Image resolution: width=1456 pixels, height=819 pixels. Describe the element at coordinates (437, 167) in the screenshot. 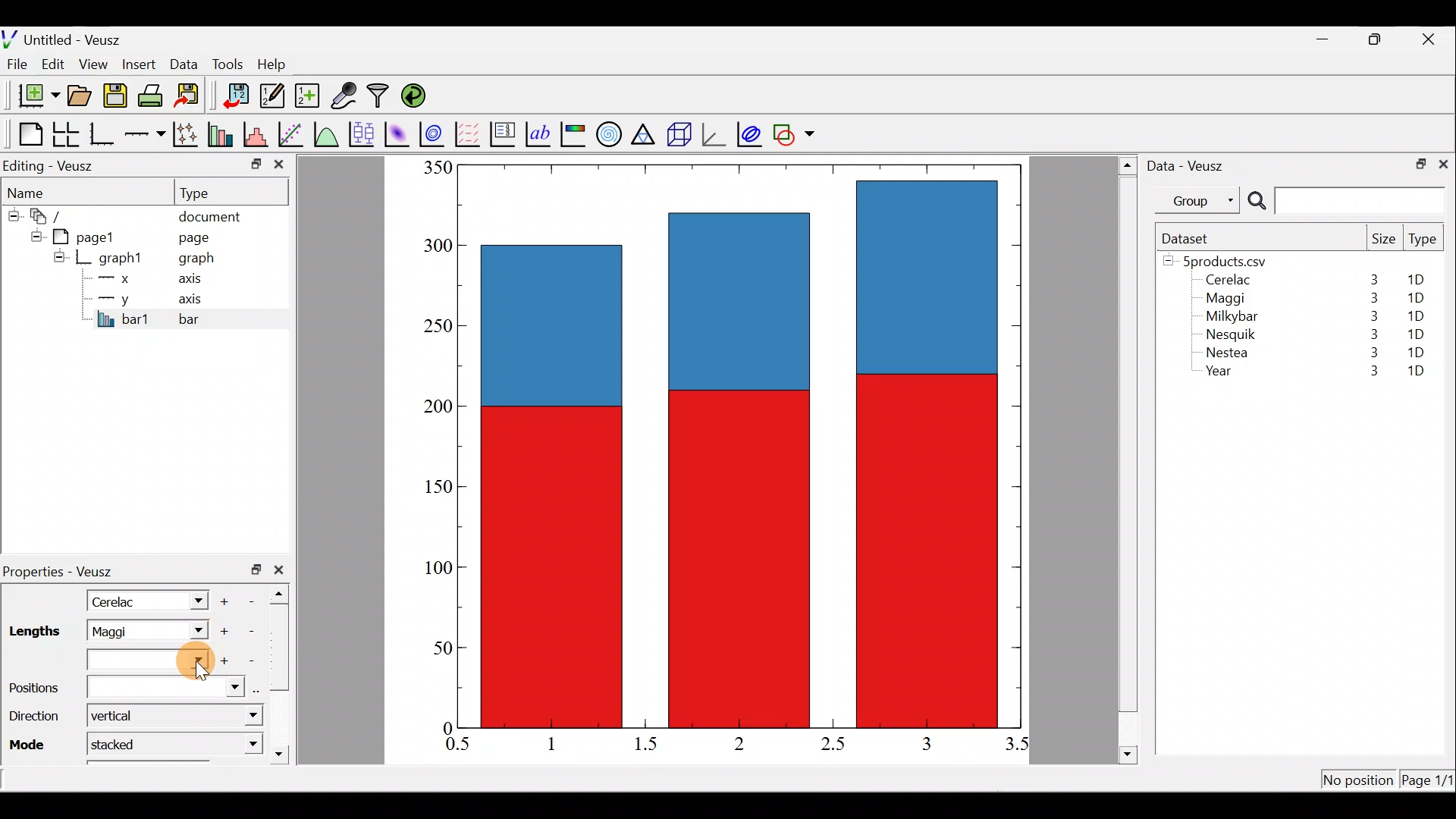

I see `350` at that location.